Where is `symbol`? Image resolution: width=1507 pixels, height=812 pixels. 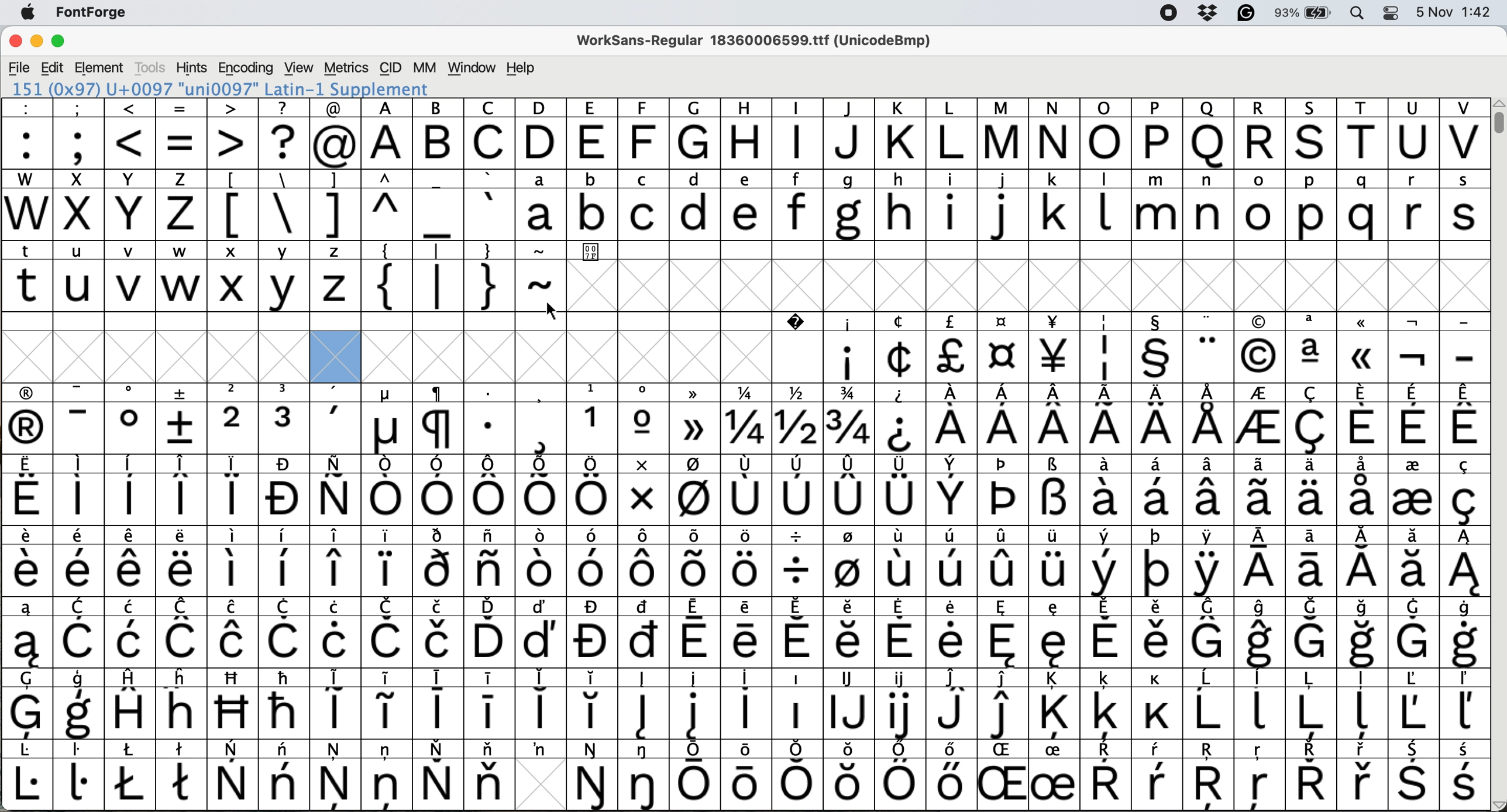
symbol is located at coordinates (82, 634).